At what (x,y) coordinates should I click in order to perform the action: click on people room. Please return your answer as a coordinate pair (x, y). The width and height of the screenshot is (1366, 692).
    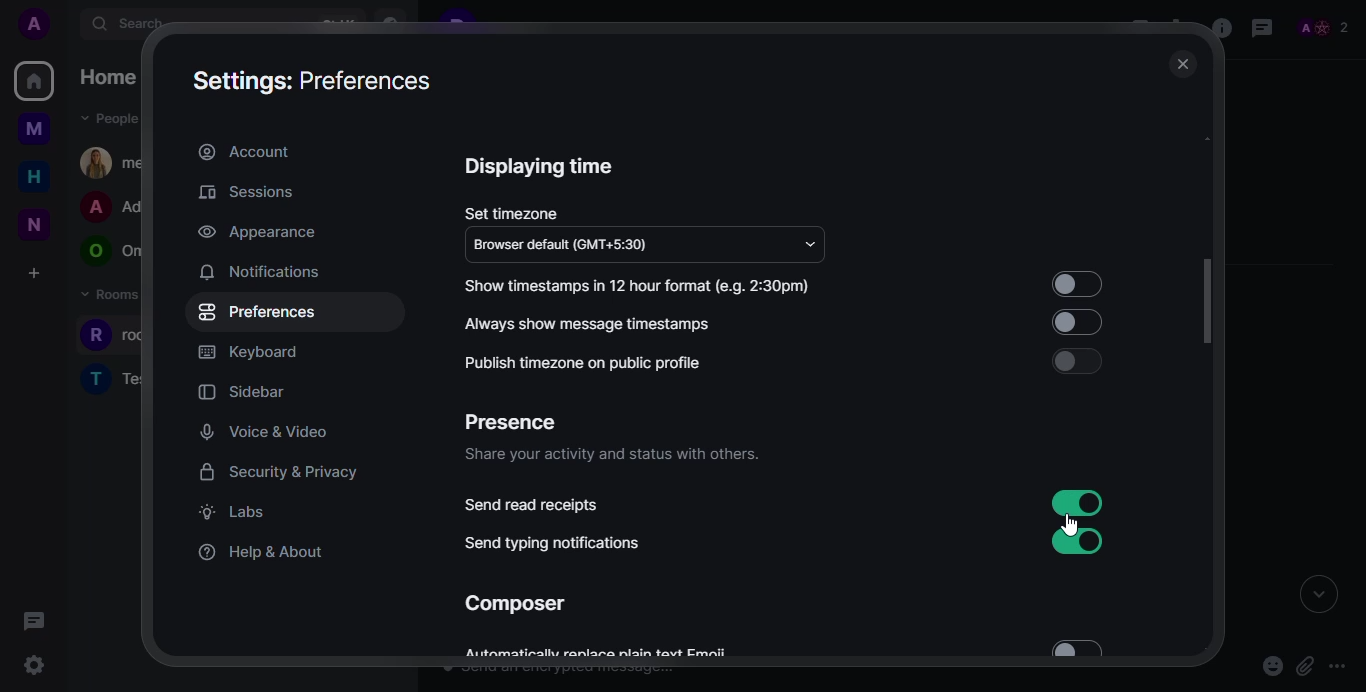
    Looking at the image, I should click on (115, 377).